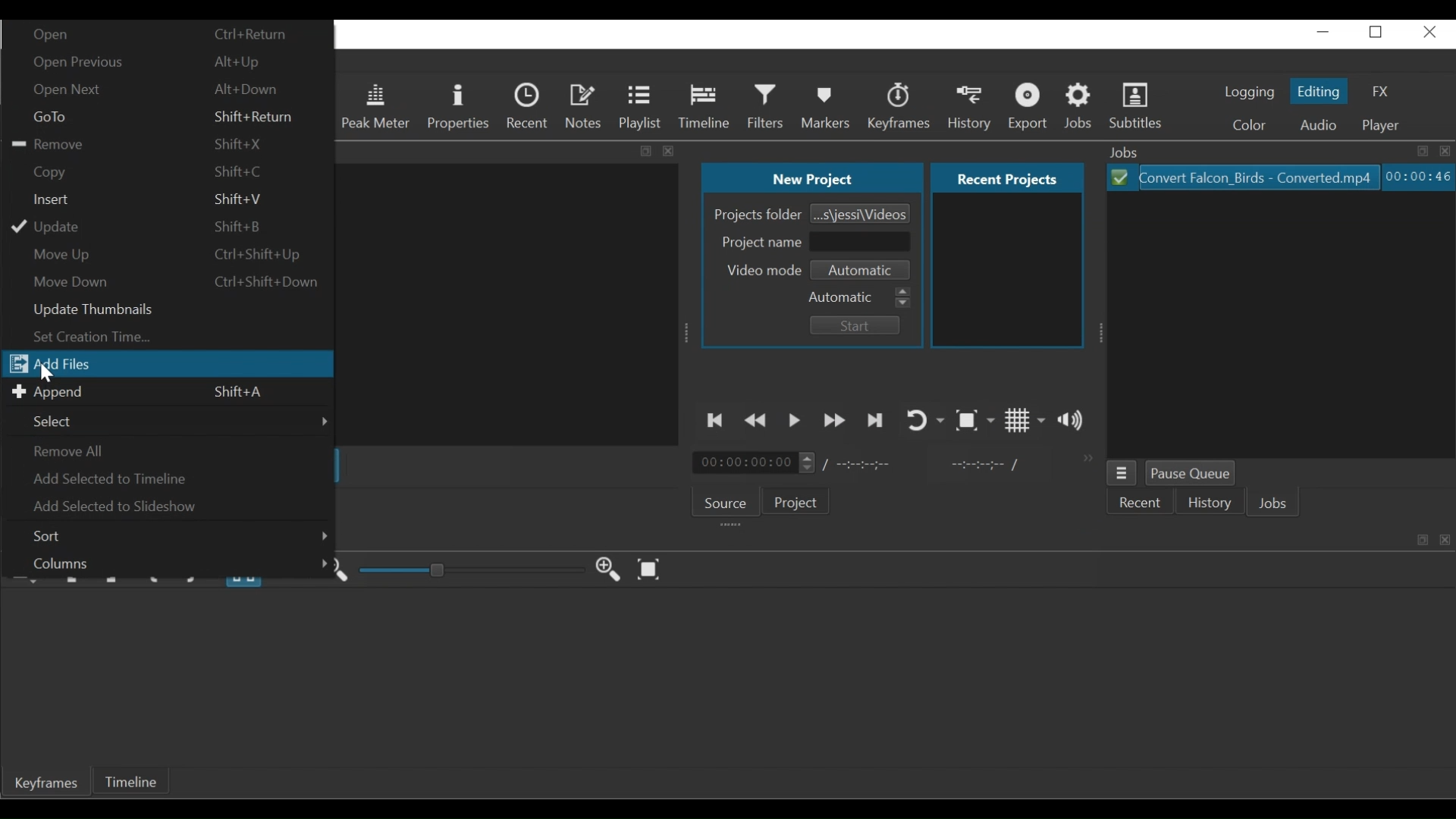 The width and height of the screenshot is (1456, 819). What do you see at coordinates (859, 327) in the screenshot?
I see `Start` at bounding box center [859, 327].